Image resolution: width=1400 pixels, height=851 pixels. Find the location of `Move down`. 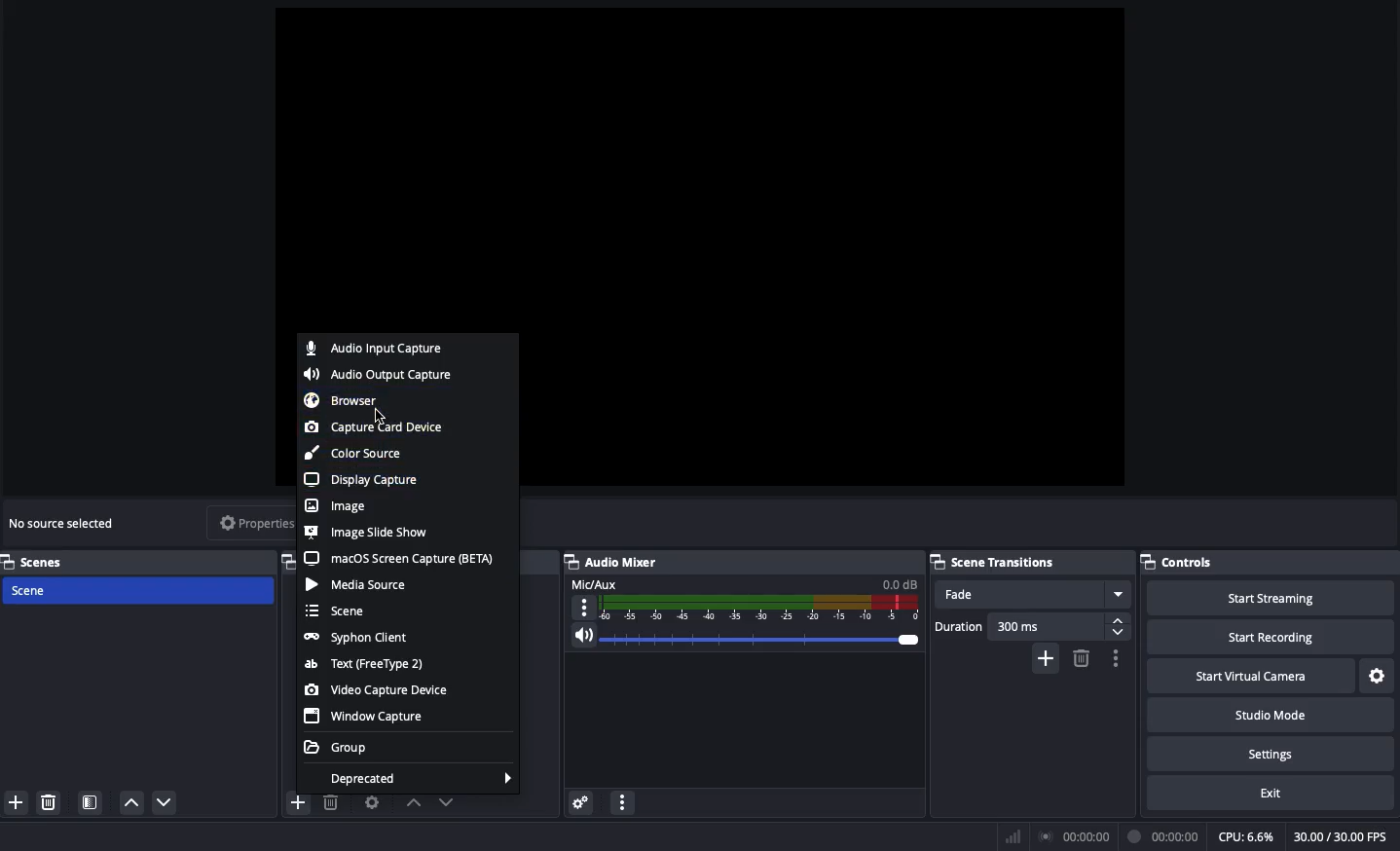

Move down is located at coordinates (447, 802).